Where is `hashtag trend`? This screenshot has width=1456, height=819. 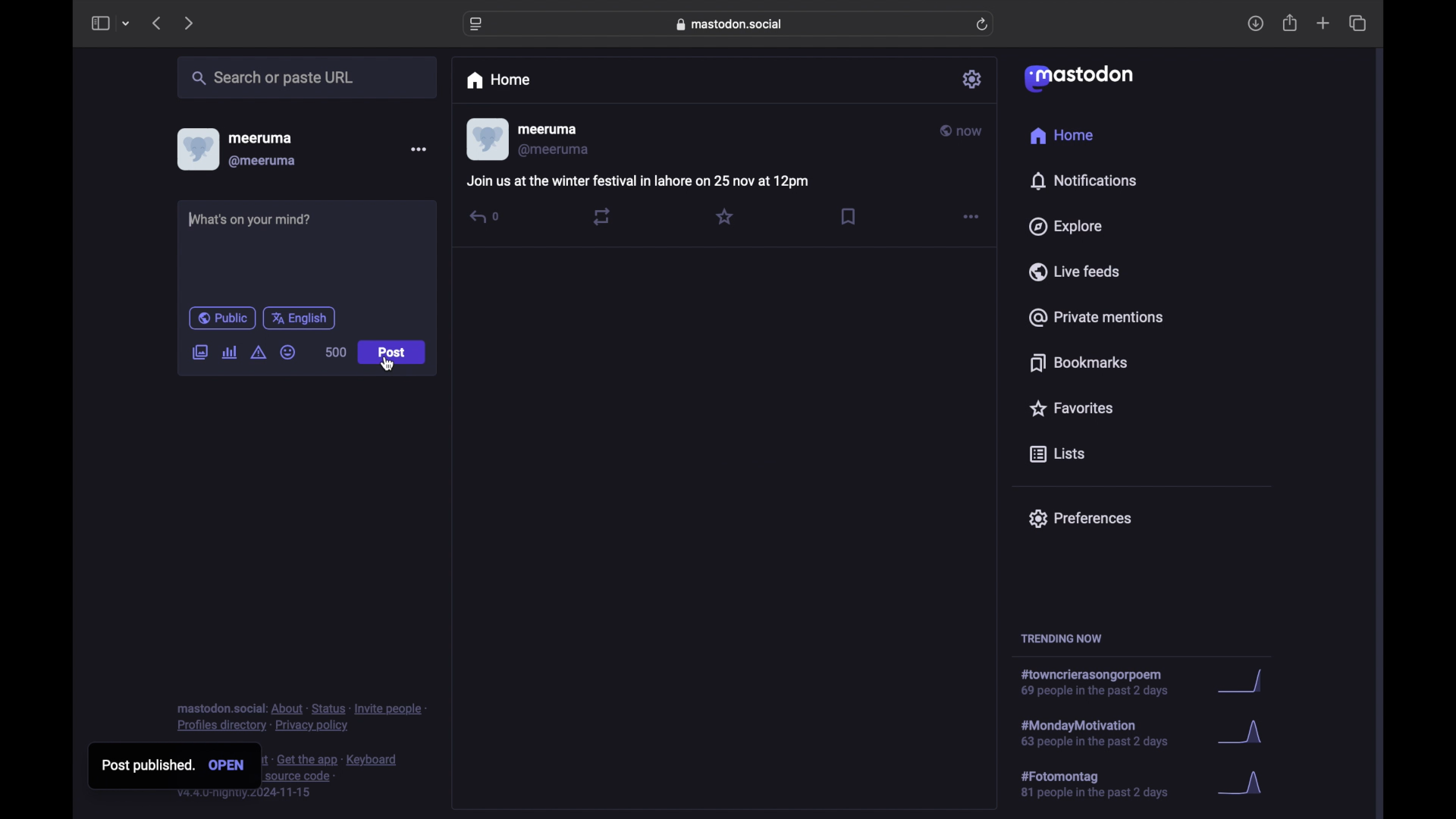
hashtag trend is located at coordinates (1103, 683).